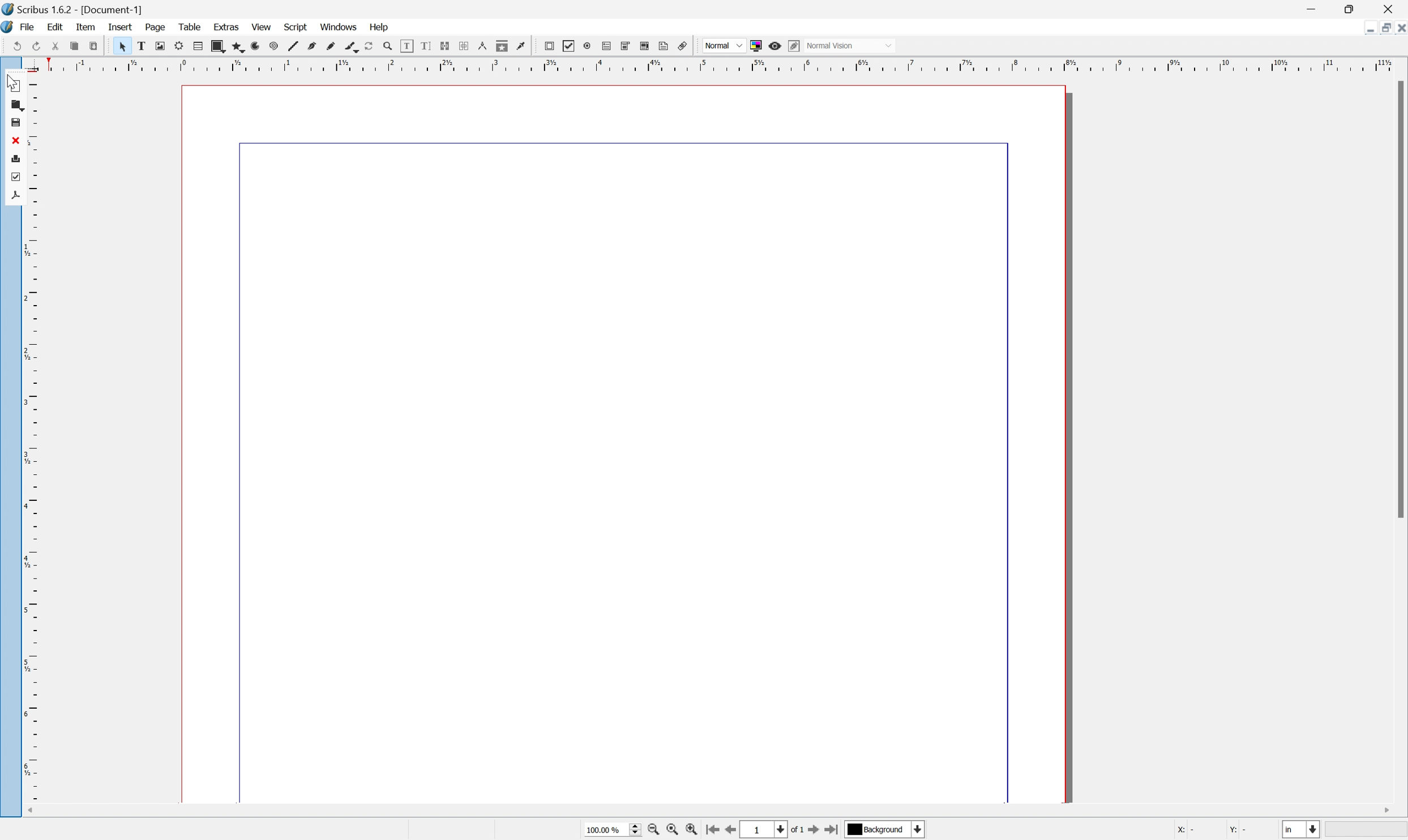  I want to click on shape, so click(349, 46).